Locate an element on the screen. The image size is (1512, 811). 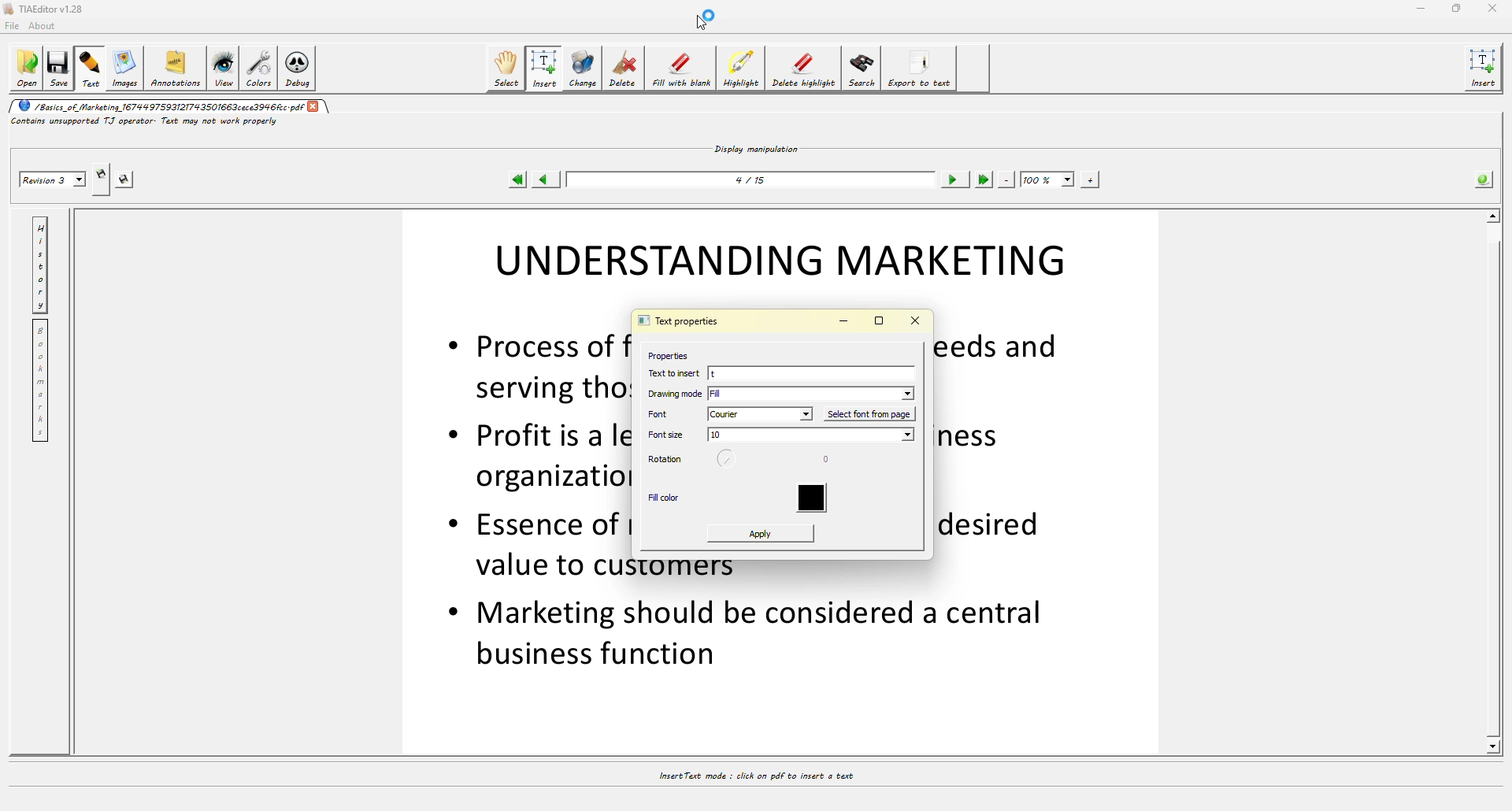
first page is located at coordinates (518, 180).